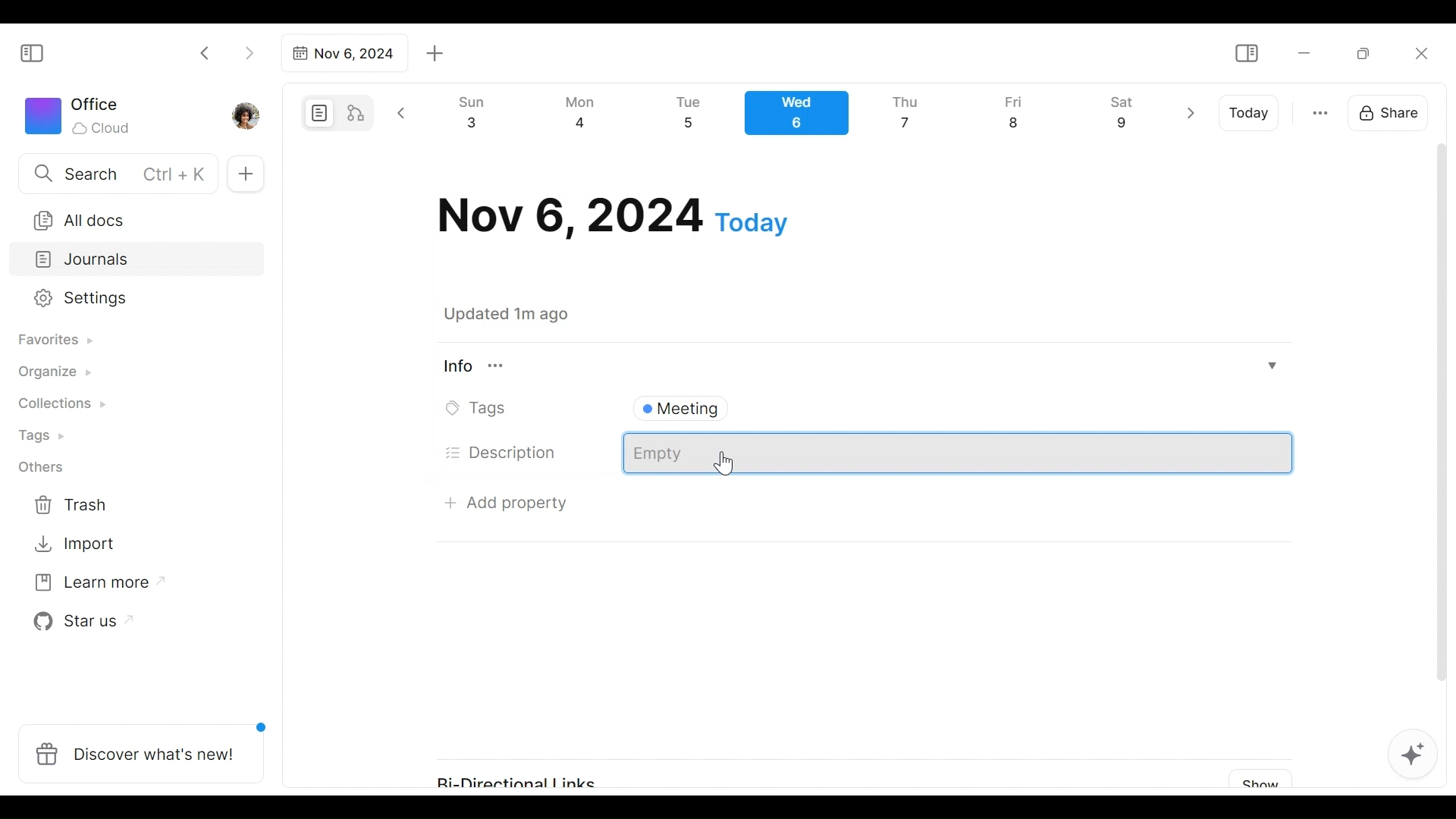 This screenshot has width=1456, height=819. Describe the element at coordinates (147, 745) in the screenshot. I see `Discover what's new` at that location.